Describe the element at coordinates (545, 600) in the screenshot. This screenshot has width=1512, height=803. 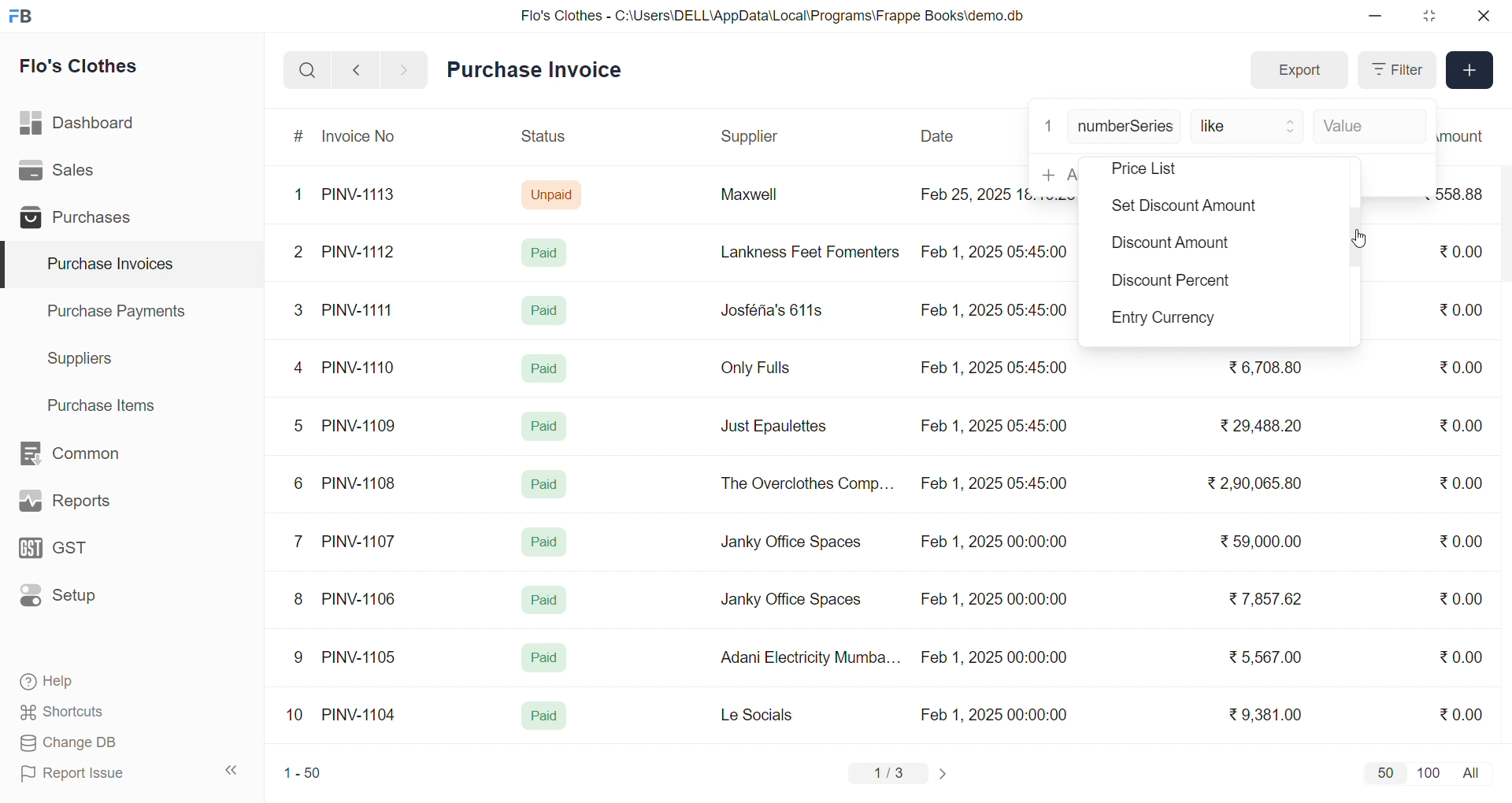
I see `Paid` at that location.